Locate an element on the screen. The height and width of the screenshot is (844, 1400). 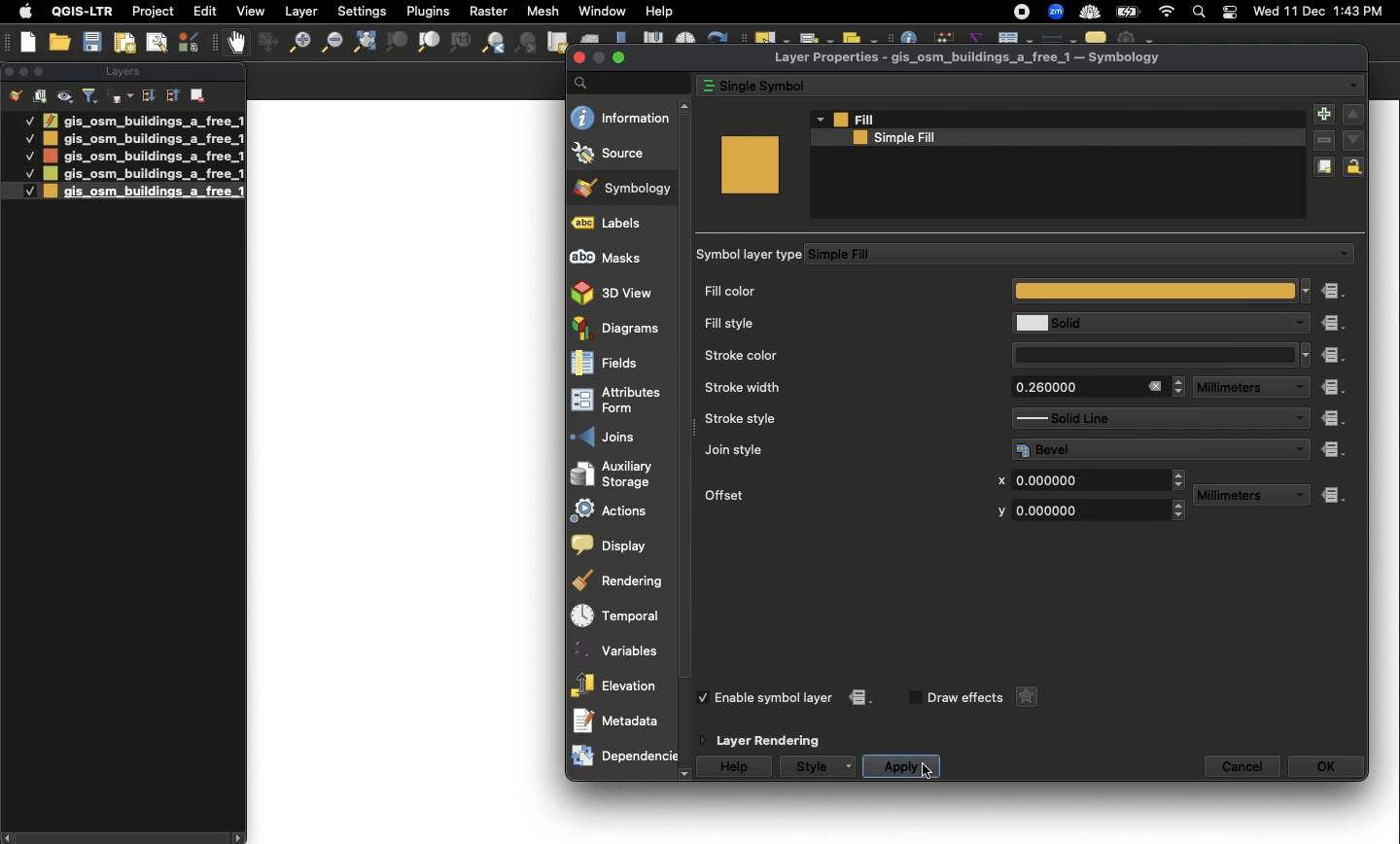
Sort ascending is located at coordinates (171, 94).